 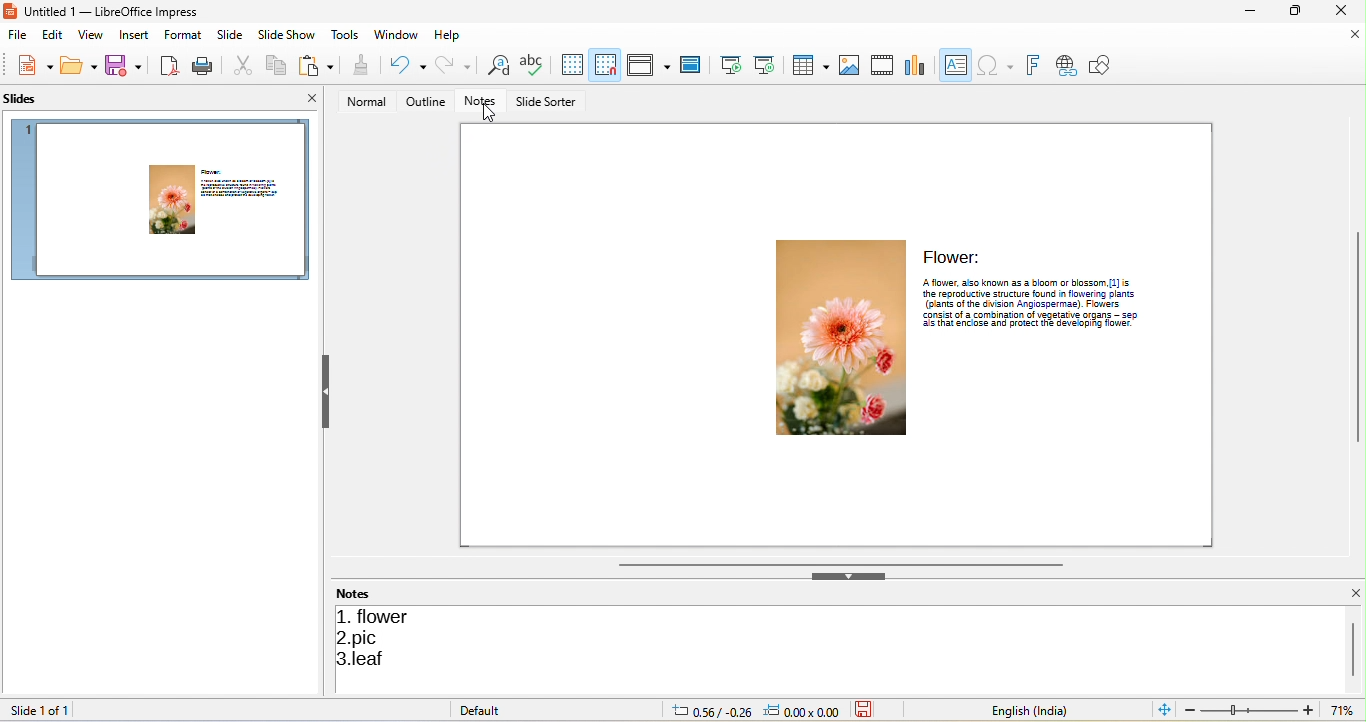 I want to click on leaf, so click(x=368, y=660).